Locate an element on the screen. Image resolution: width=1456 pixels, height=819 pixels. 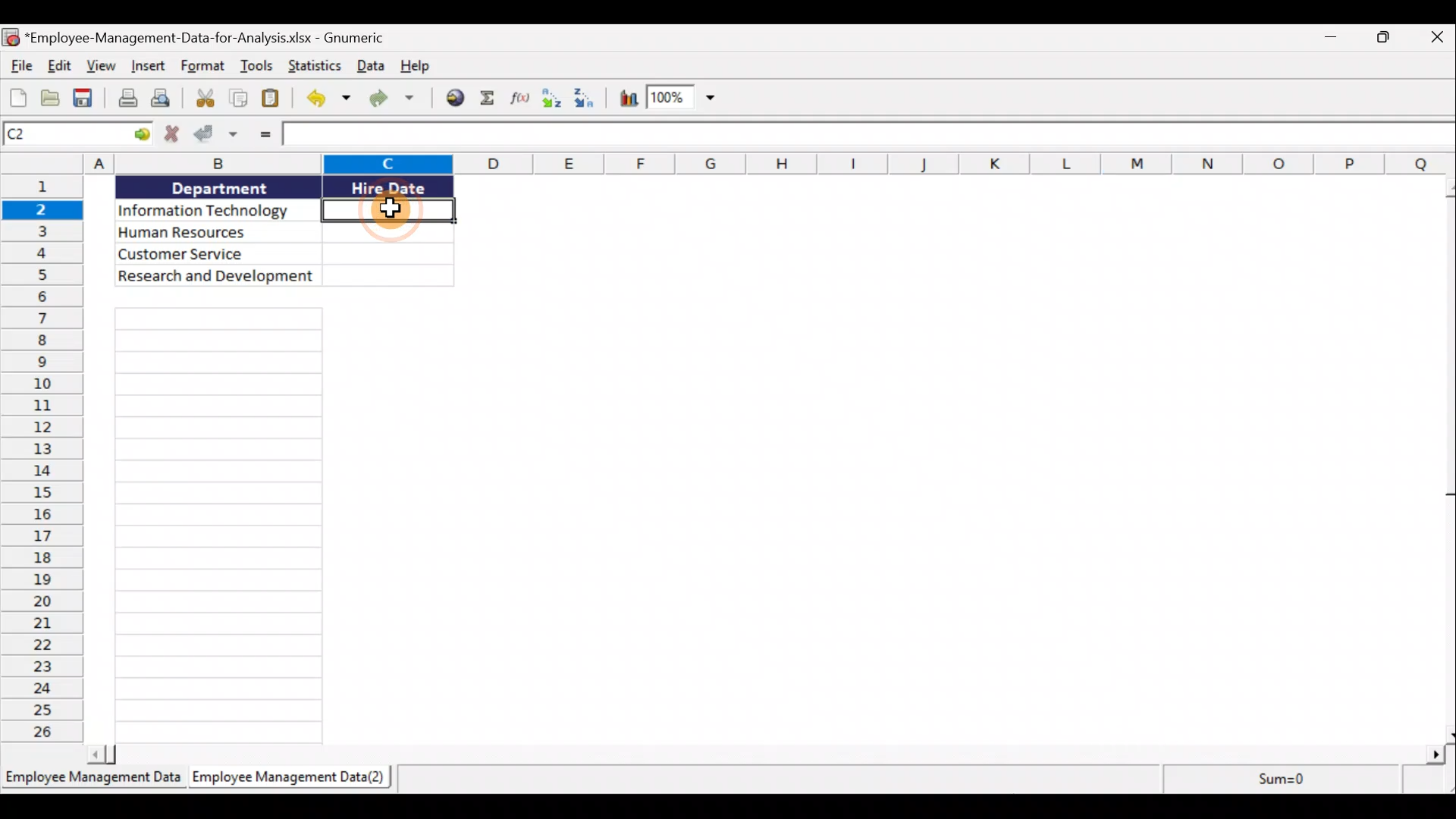
Copy selection is located at coordinates (238, 101).